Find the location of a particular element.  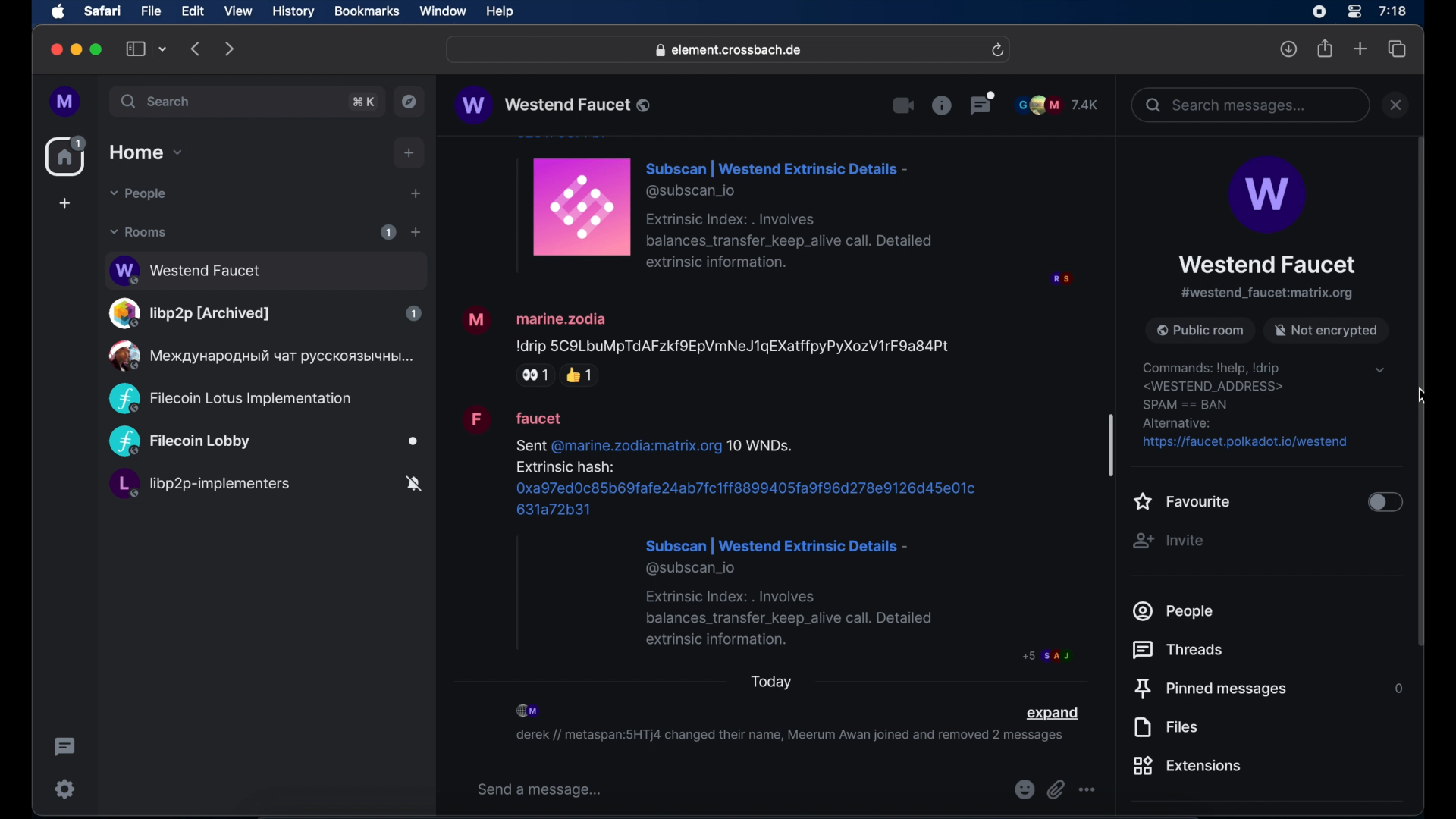

favorite is located at coordinates (1182, 501).